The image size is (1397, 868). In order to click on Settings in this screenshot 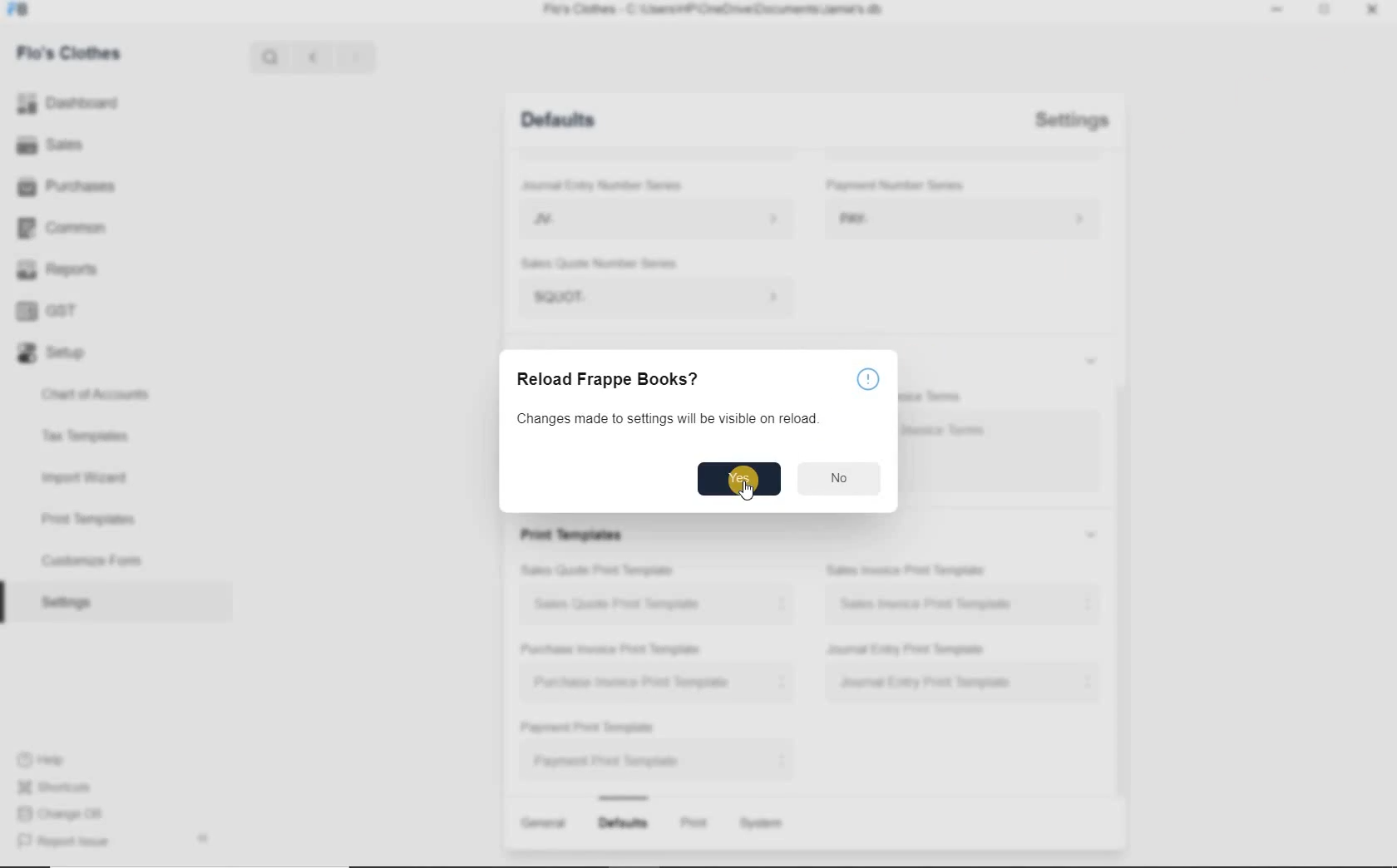, I will do `click(73, 602)`.